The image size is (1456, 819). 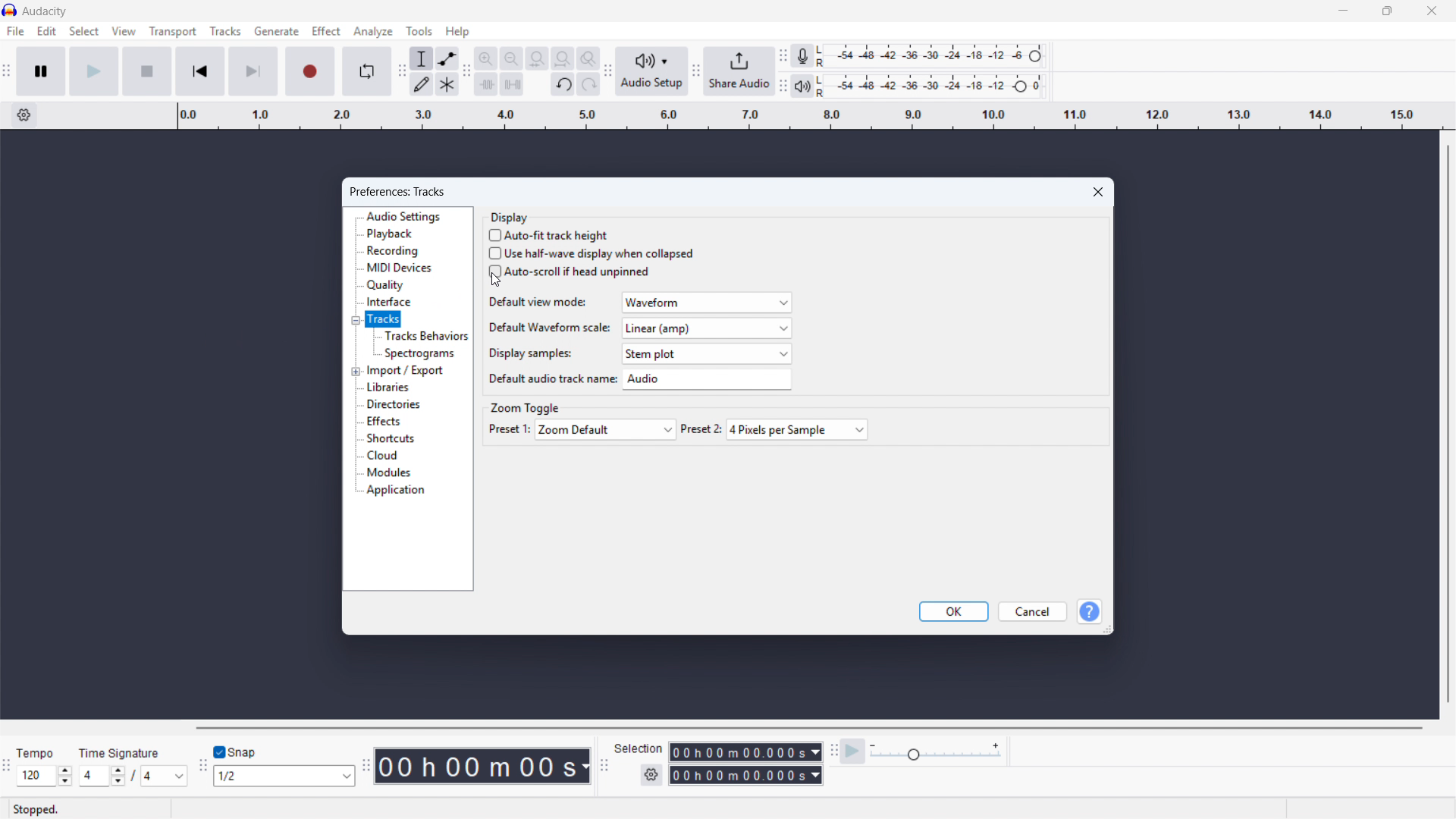 What do you see at coordinates (652, 71) in the screenshot?
I see `audio setup` at bounding box center [652, 71].